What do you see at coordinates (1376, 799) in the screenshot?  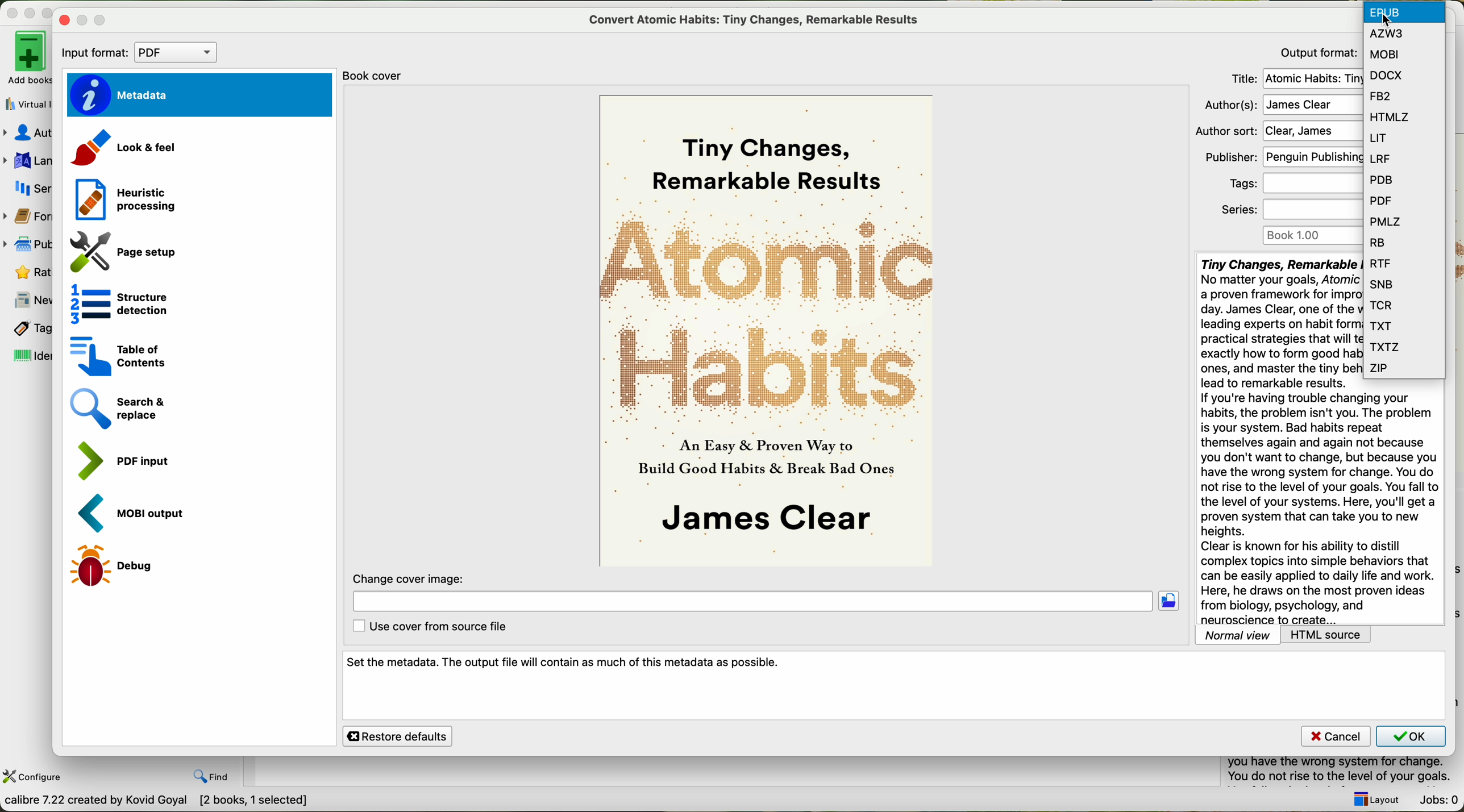 I see `layout` at bounding box center [1376, 799].